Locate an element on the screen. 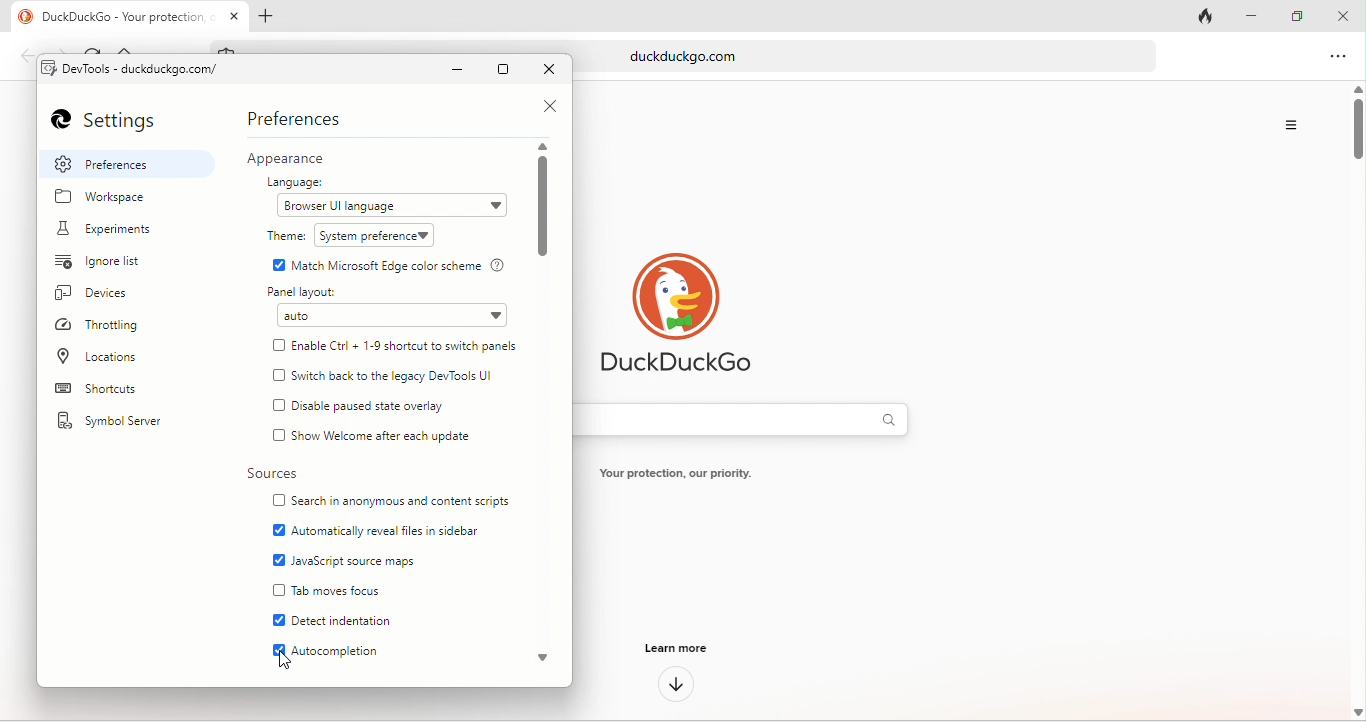 The height and width of the screenshot is (722, 1366). location is located at coordinates (106, 356).